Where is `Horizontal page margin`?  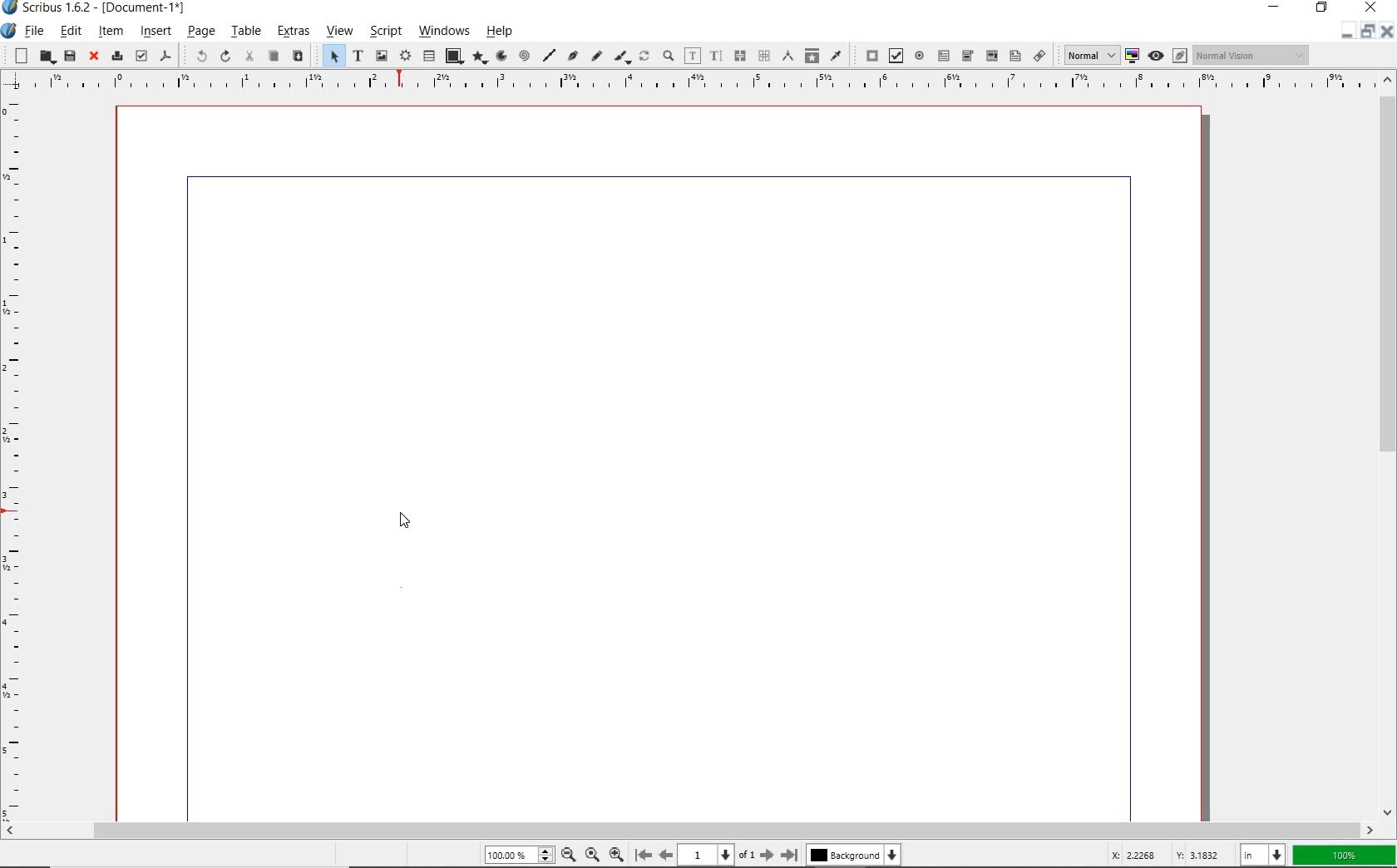
Horizontal page margin is located at coordinates (23, 458).